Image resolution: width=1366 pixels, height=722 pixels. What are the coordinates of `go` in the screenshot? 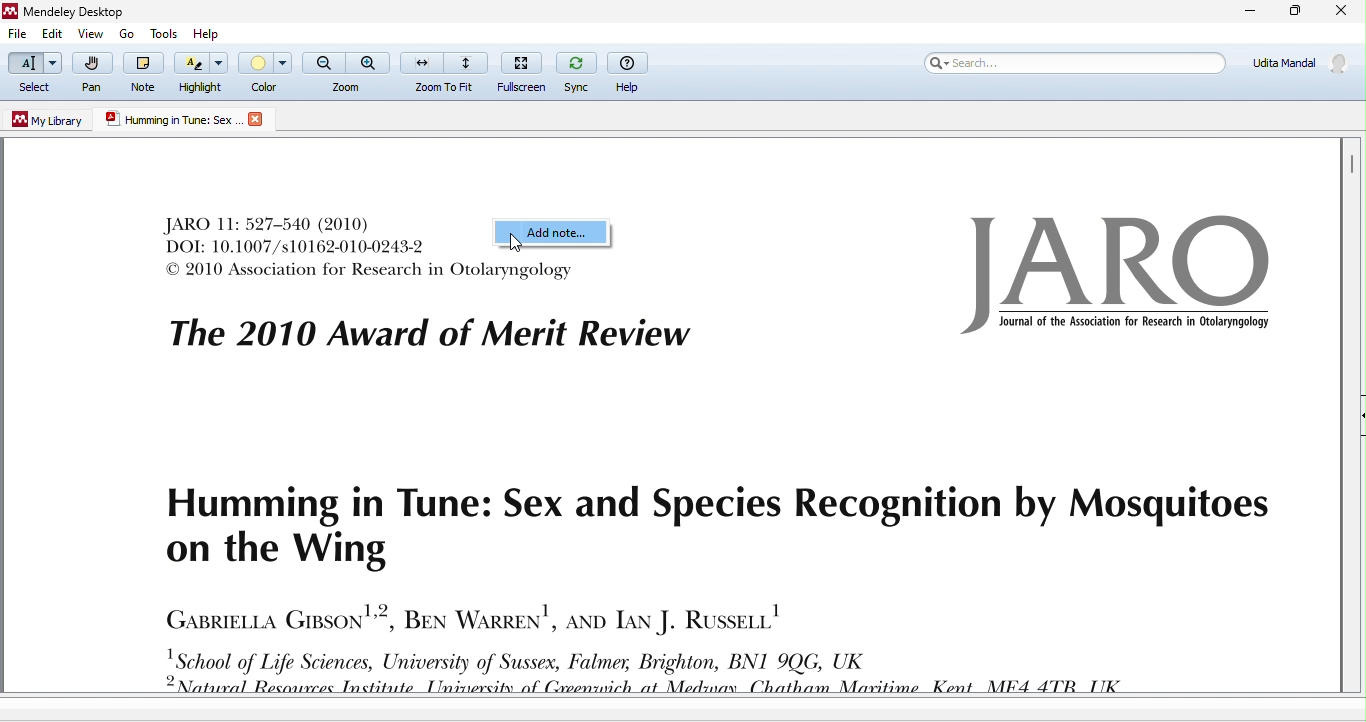 It's located at (124, 34).